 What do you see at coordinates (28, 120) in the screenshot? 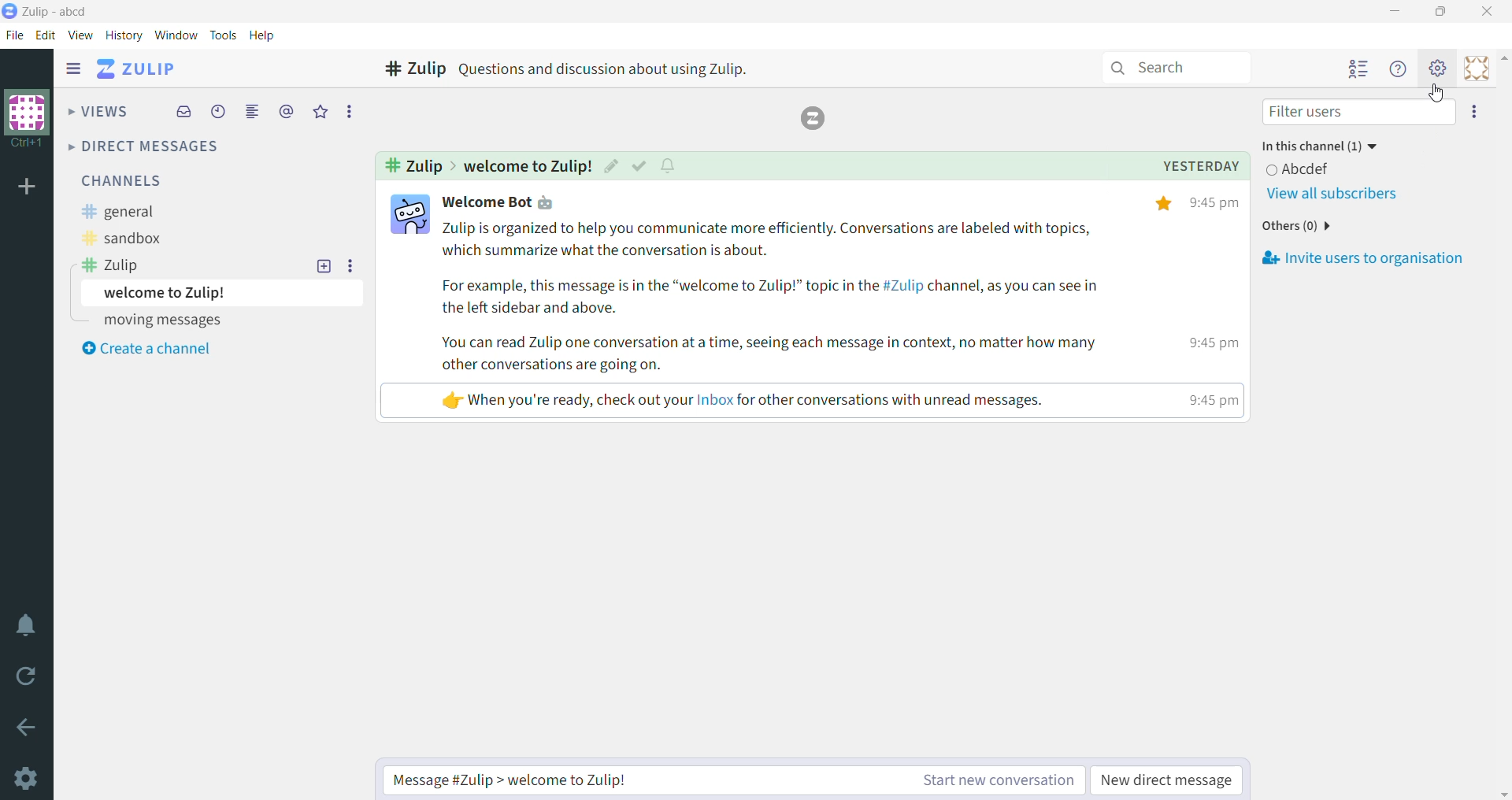
I see `Organization Name` at bounding box center [28, 120].